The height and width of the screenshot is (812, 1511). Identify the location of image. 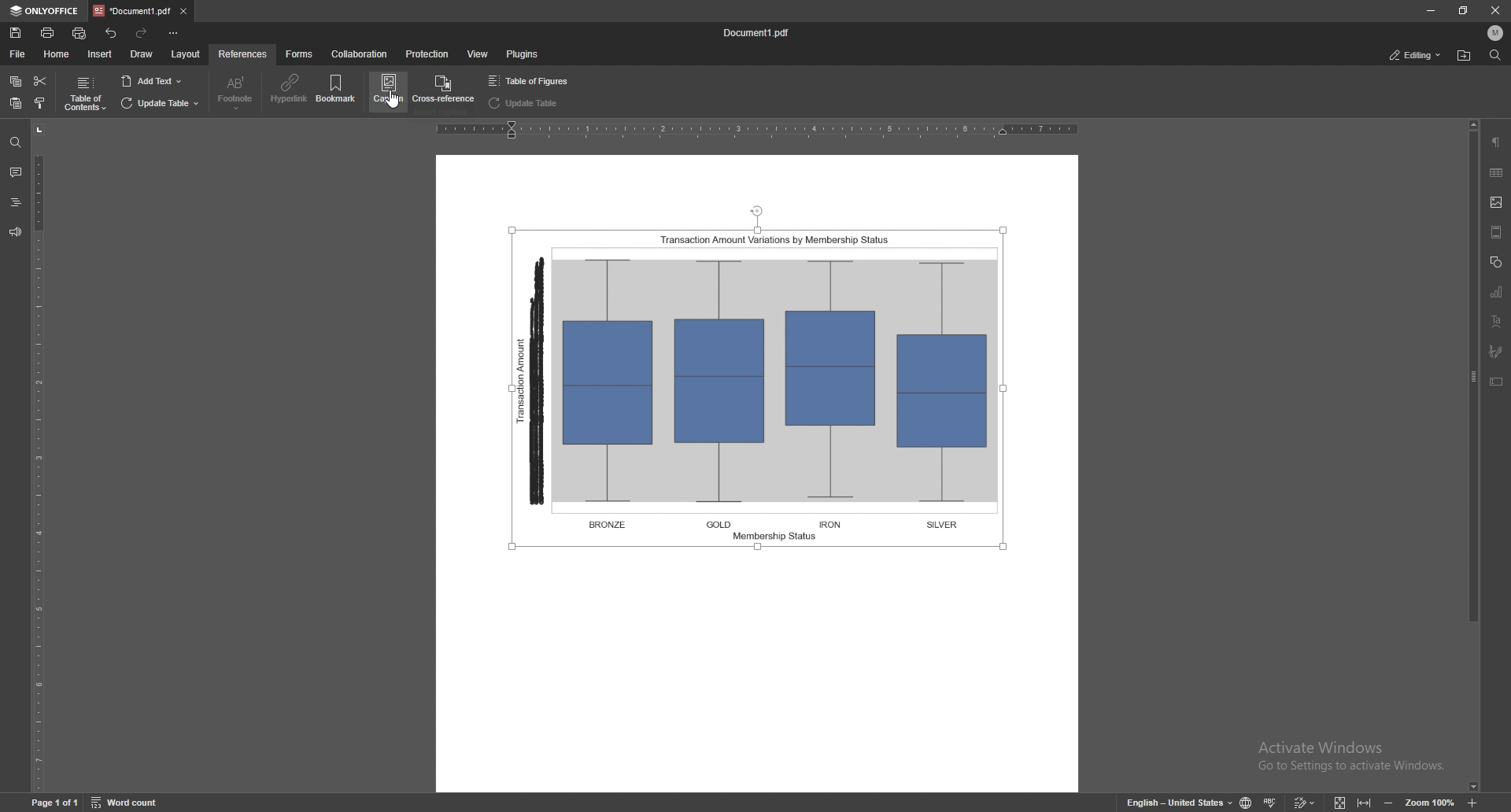
(1498, 202).